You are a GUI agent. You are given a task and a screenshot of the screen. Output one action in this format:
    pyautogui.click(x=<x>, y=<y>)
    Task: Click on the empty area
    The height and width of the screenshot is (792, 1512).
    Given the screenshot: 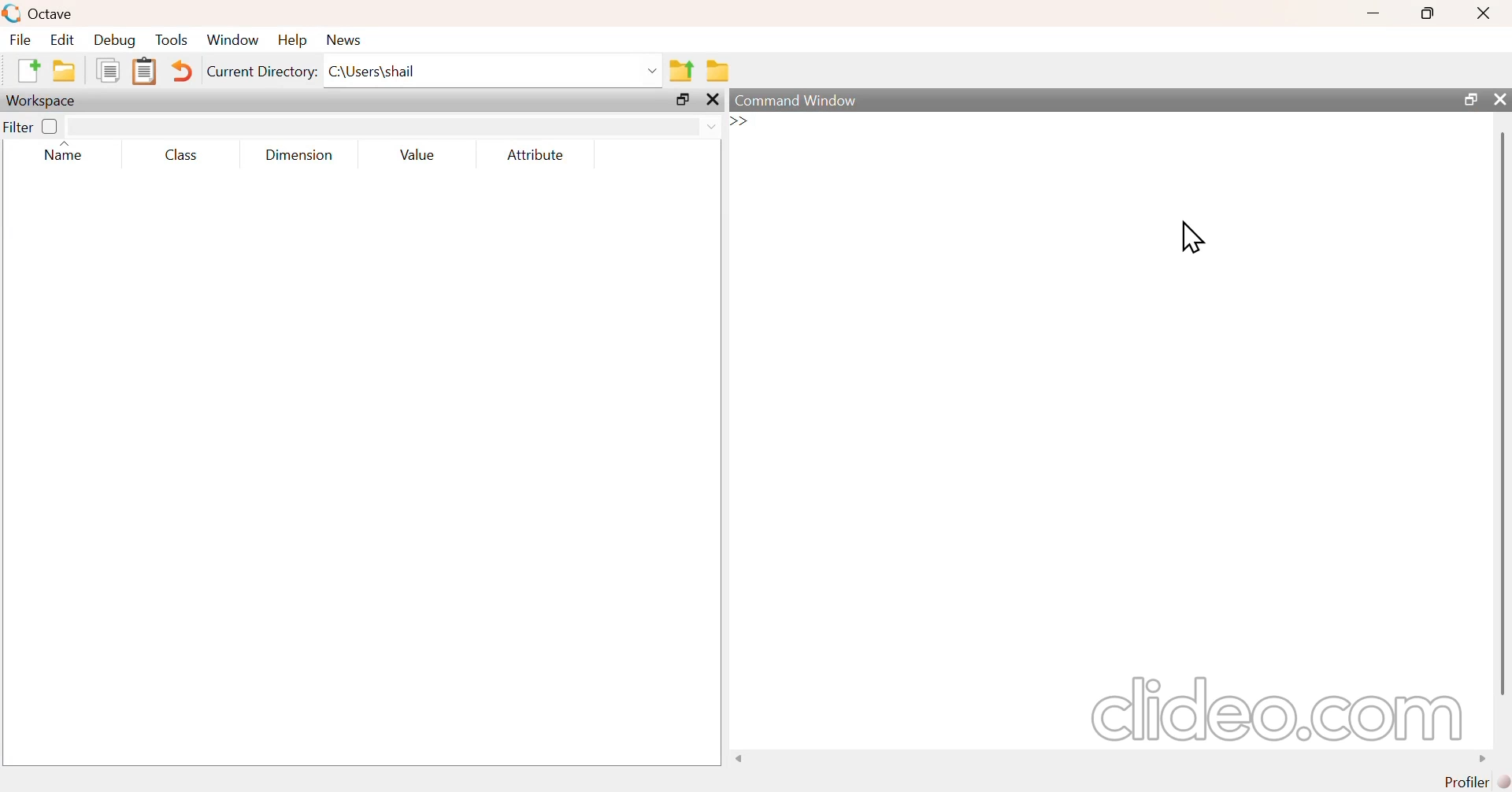 What is the action you would take?
    pyautogui.click(x=351, y=472)
    